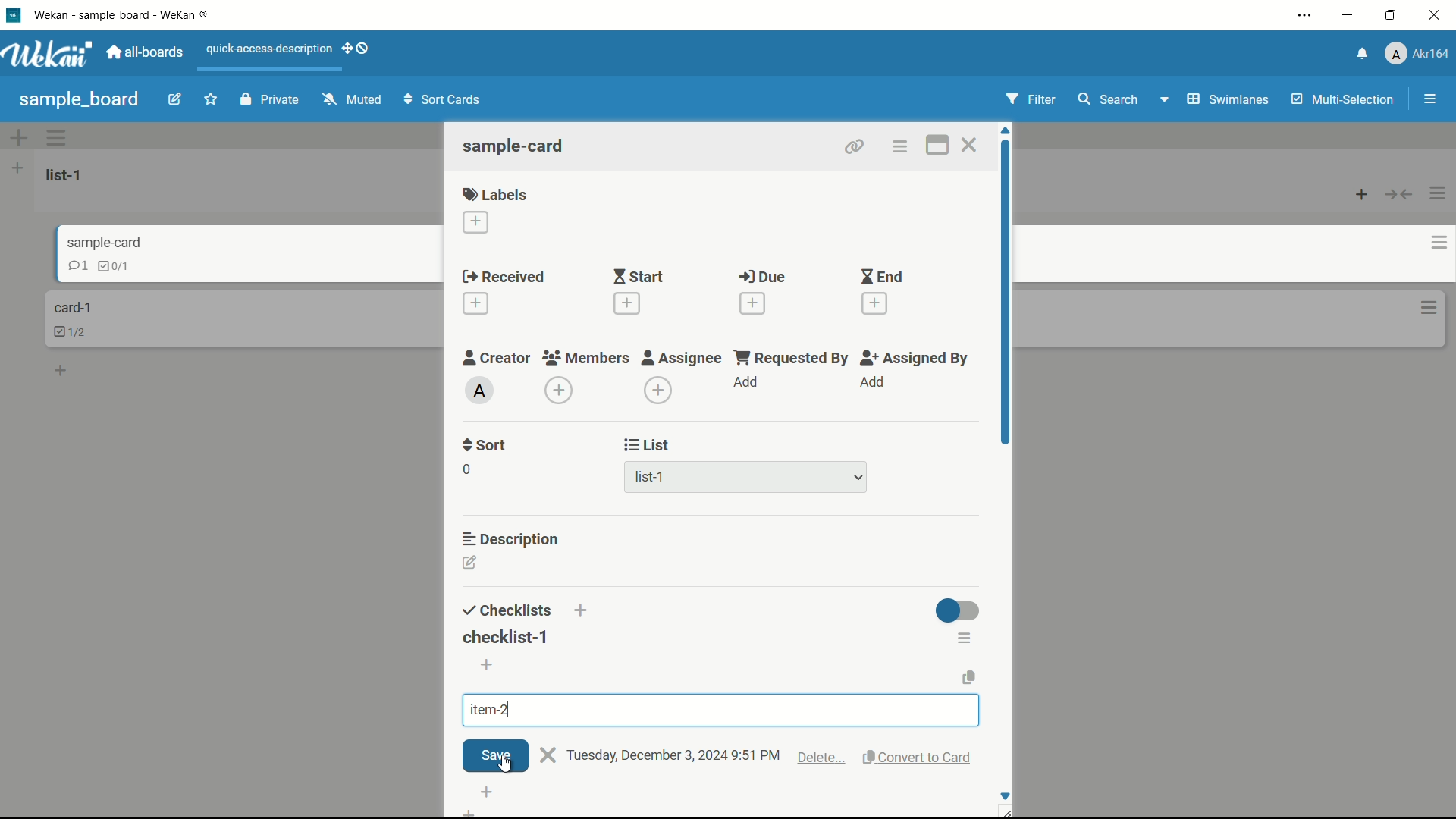  Describe the element at coordinates (120, 14) in the screenshot. I see `app name` at that location.